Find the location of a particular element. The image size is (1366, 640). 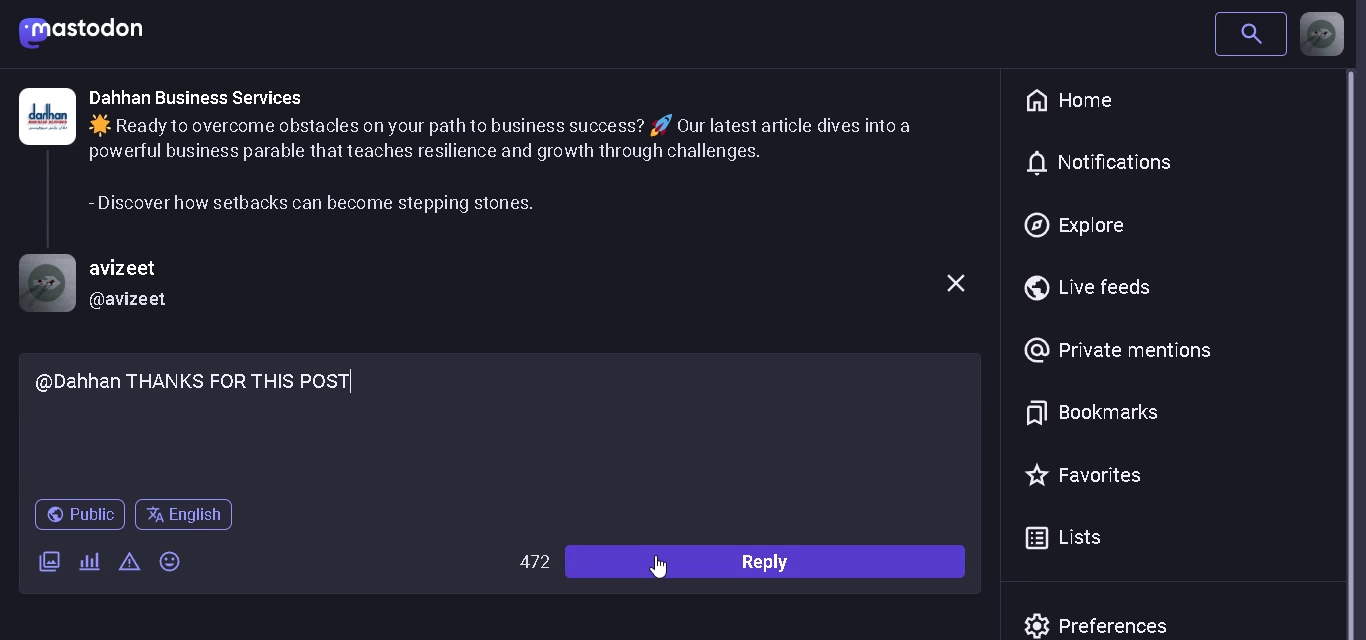

search is located at coordinates (1249, 35).